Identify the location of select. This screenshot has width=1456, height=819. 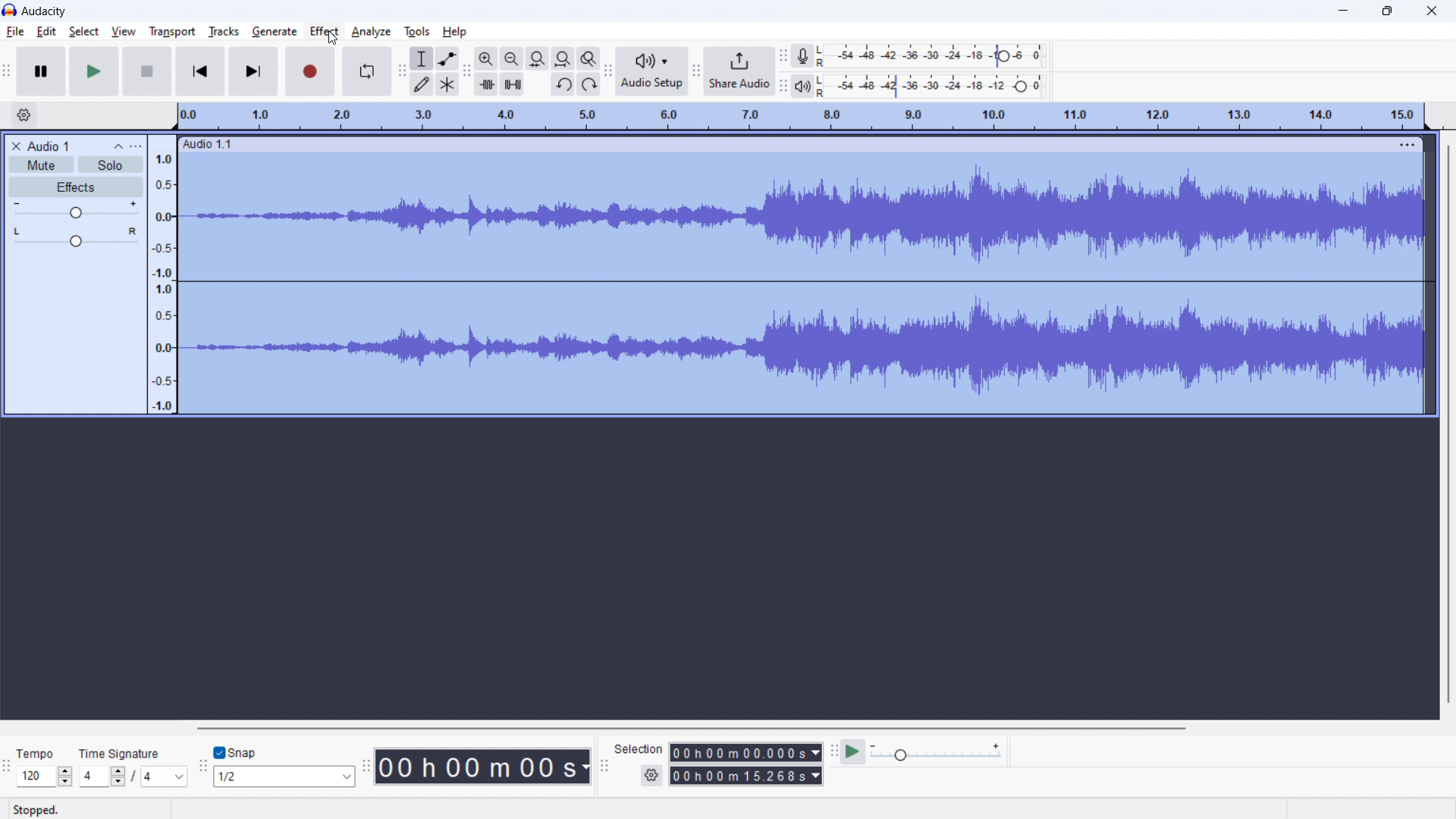
(84, 32).